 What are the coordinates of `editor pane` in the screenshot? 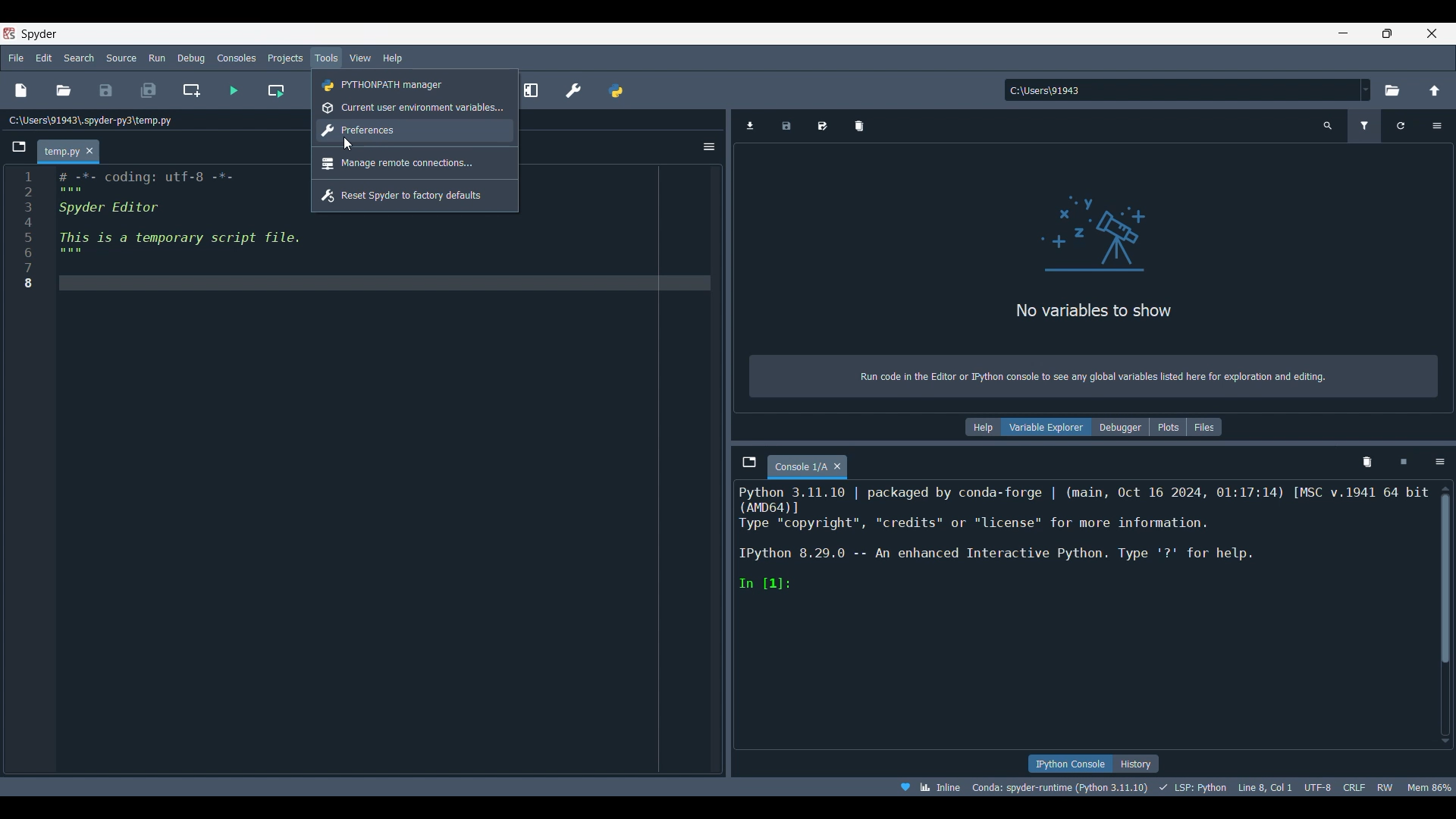 It's located at (158, 231).